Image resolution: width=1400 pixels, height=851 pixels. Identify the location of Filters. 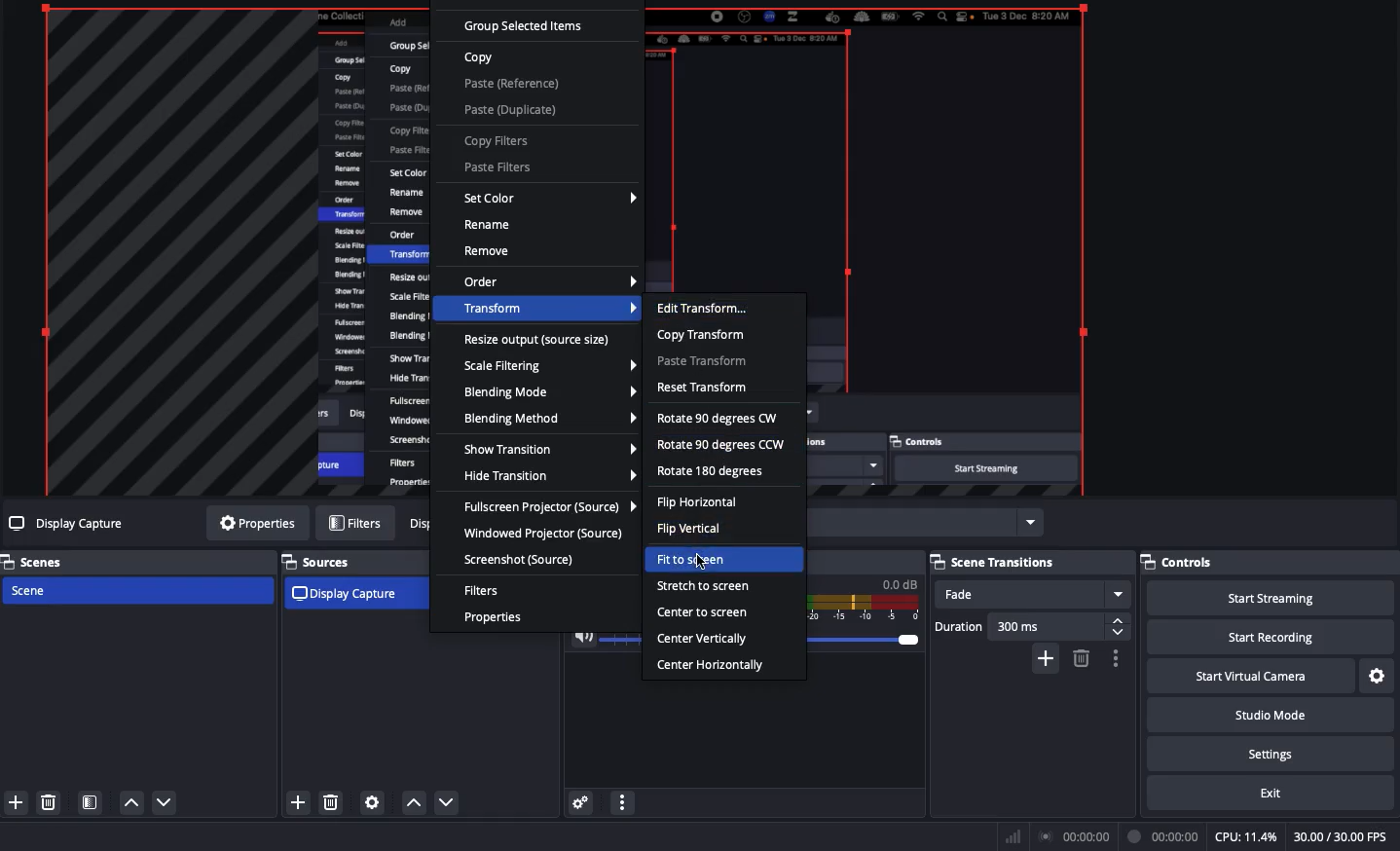
(354, 522).